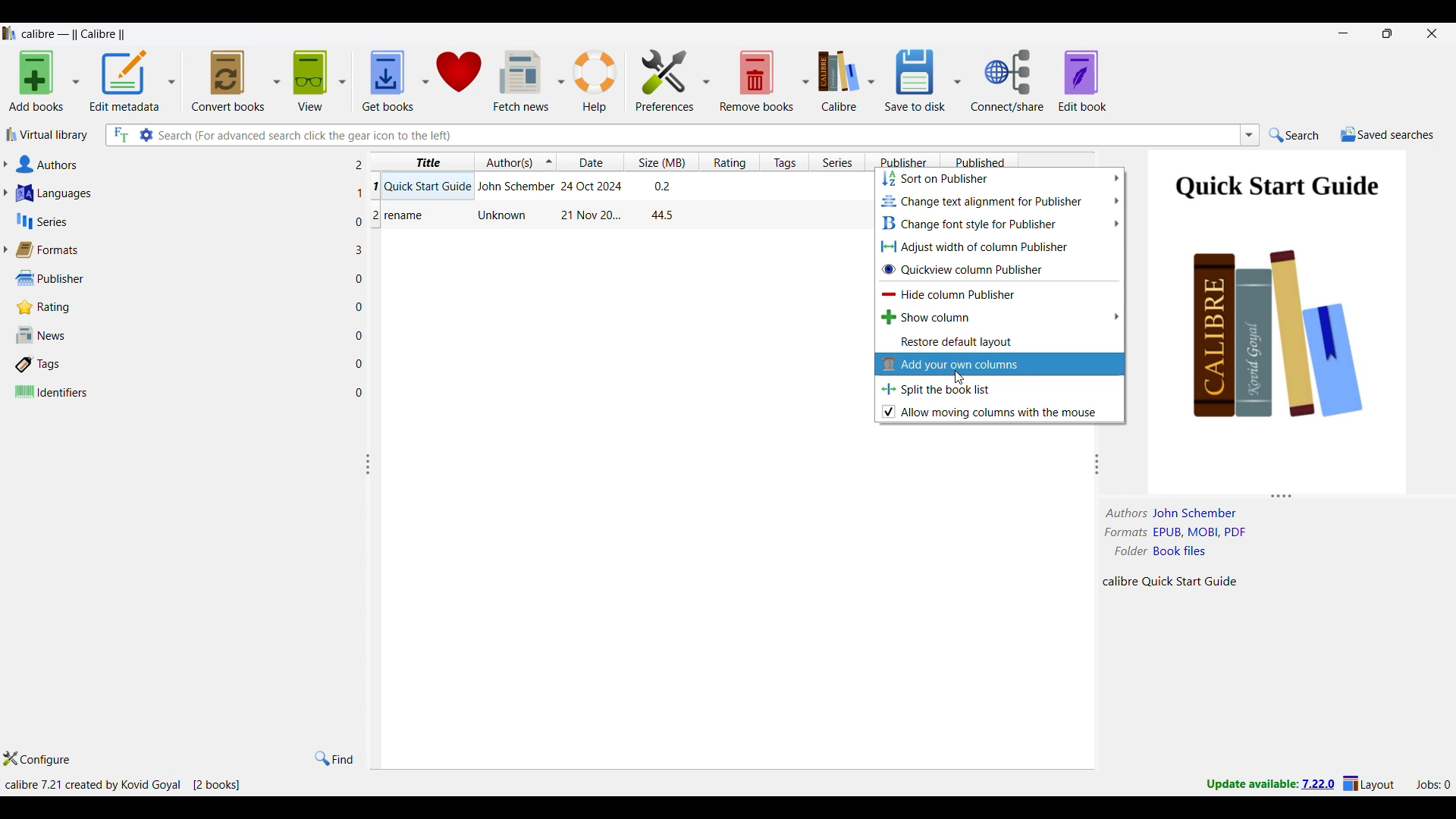  I want to click on Published column, so click(979, 162).